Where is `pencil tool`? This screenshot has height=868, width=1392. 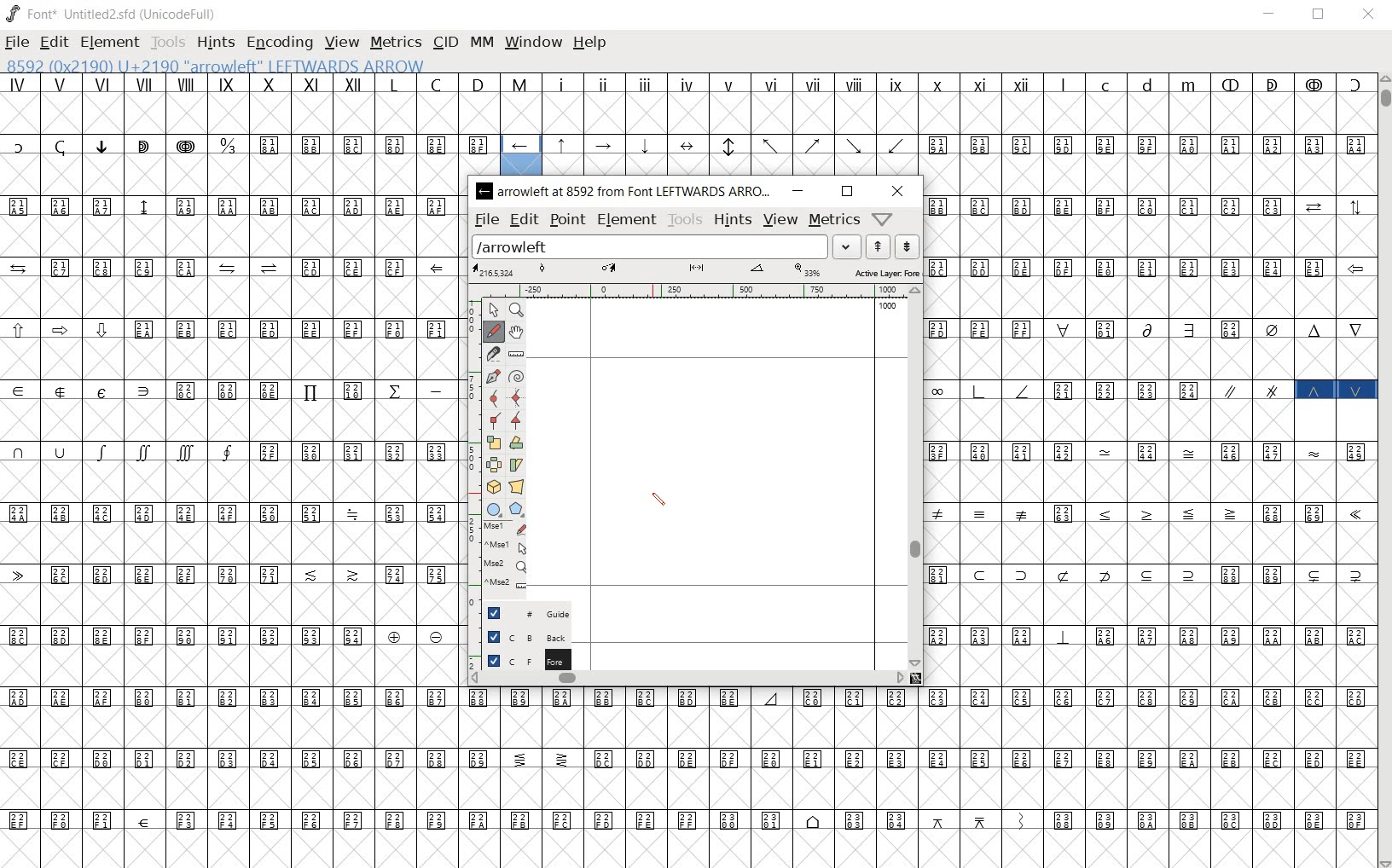
pencil tool is located at coordinates (660, 499).